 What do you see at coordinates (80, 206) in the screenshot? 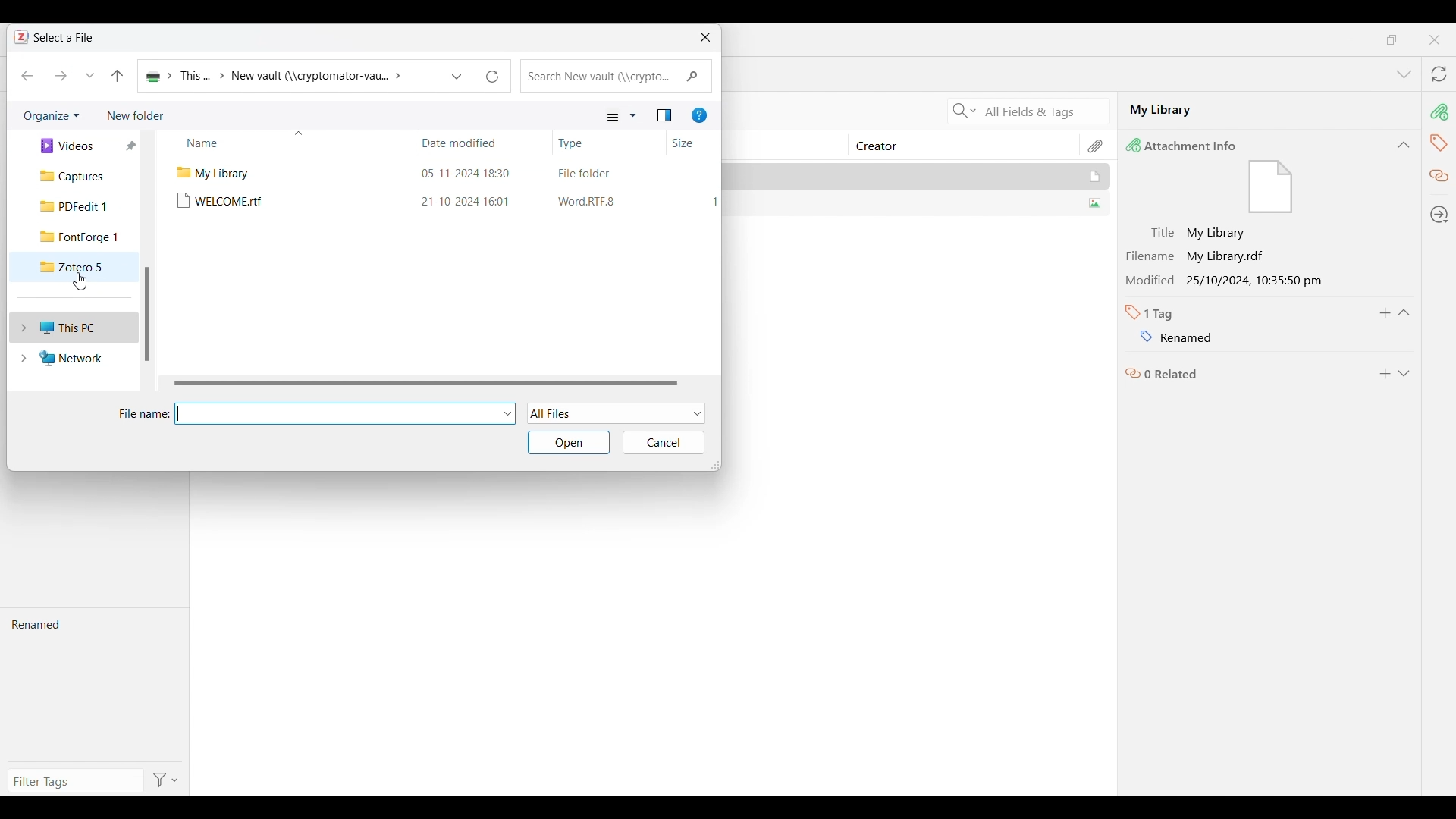
I see `PDFedit 1 folder` at bounding box center [80, 206].